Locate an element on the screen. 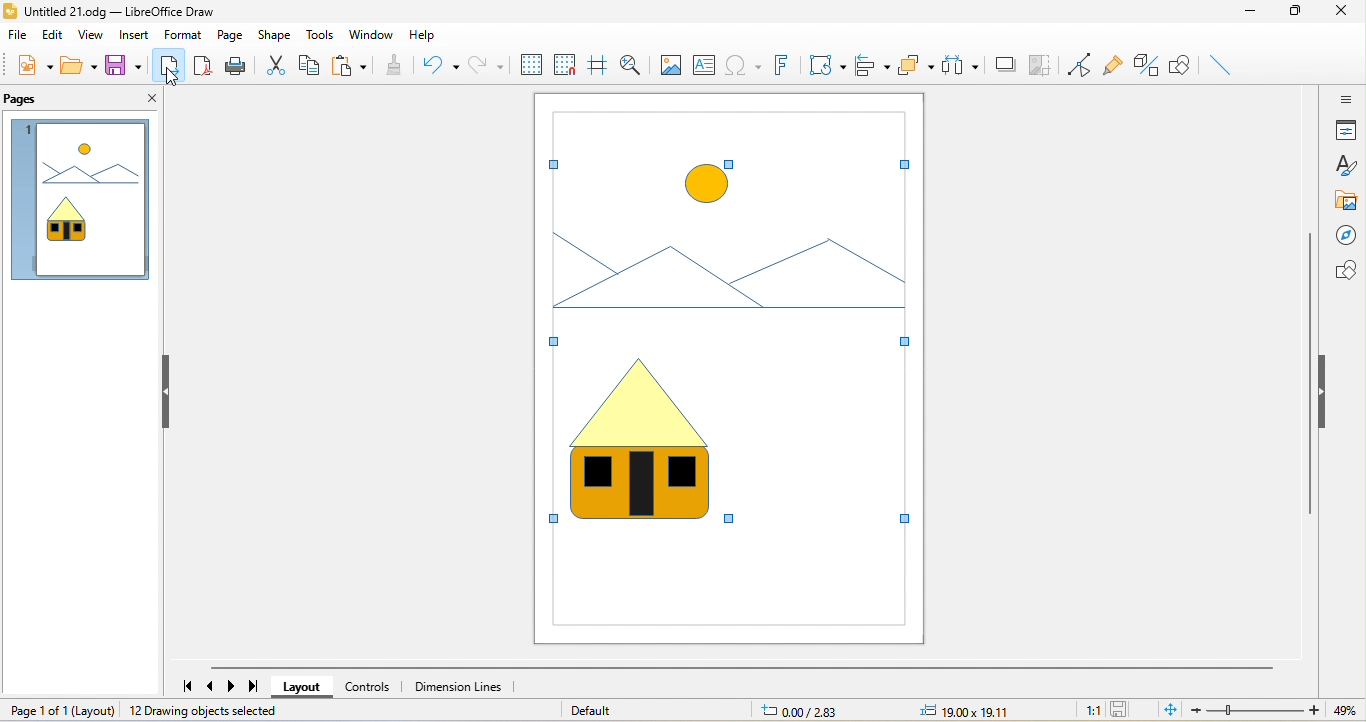 The height and width of the screenshot is (722, 1366). toggle point edit mode is located at coordinates (1082, 65).